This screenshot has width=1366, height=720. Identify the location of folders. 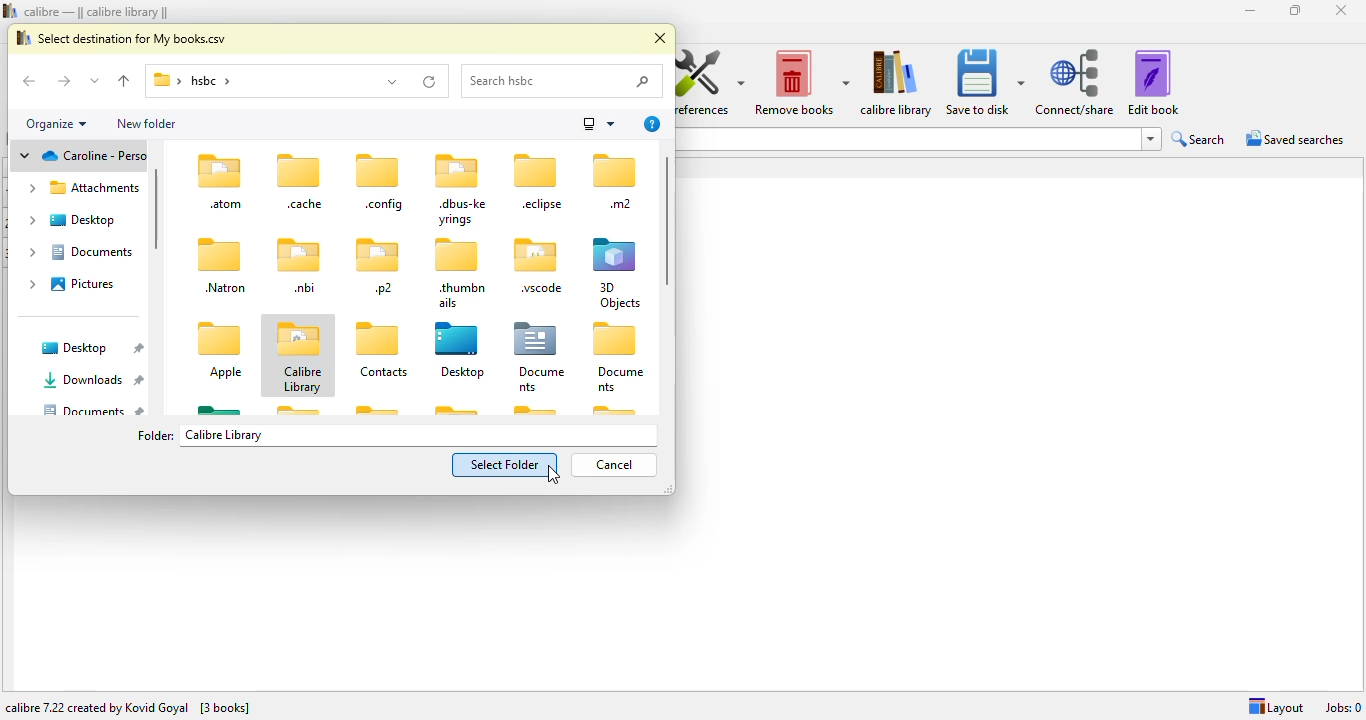
(221, 283).